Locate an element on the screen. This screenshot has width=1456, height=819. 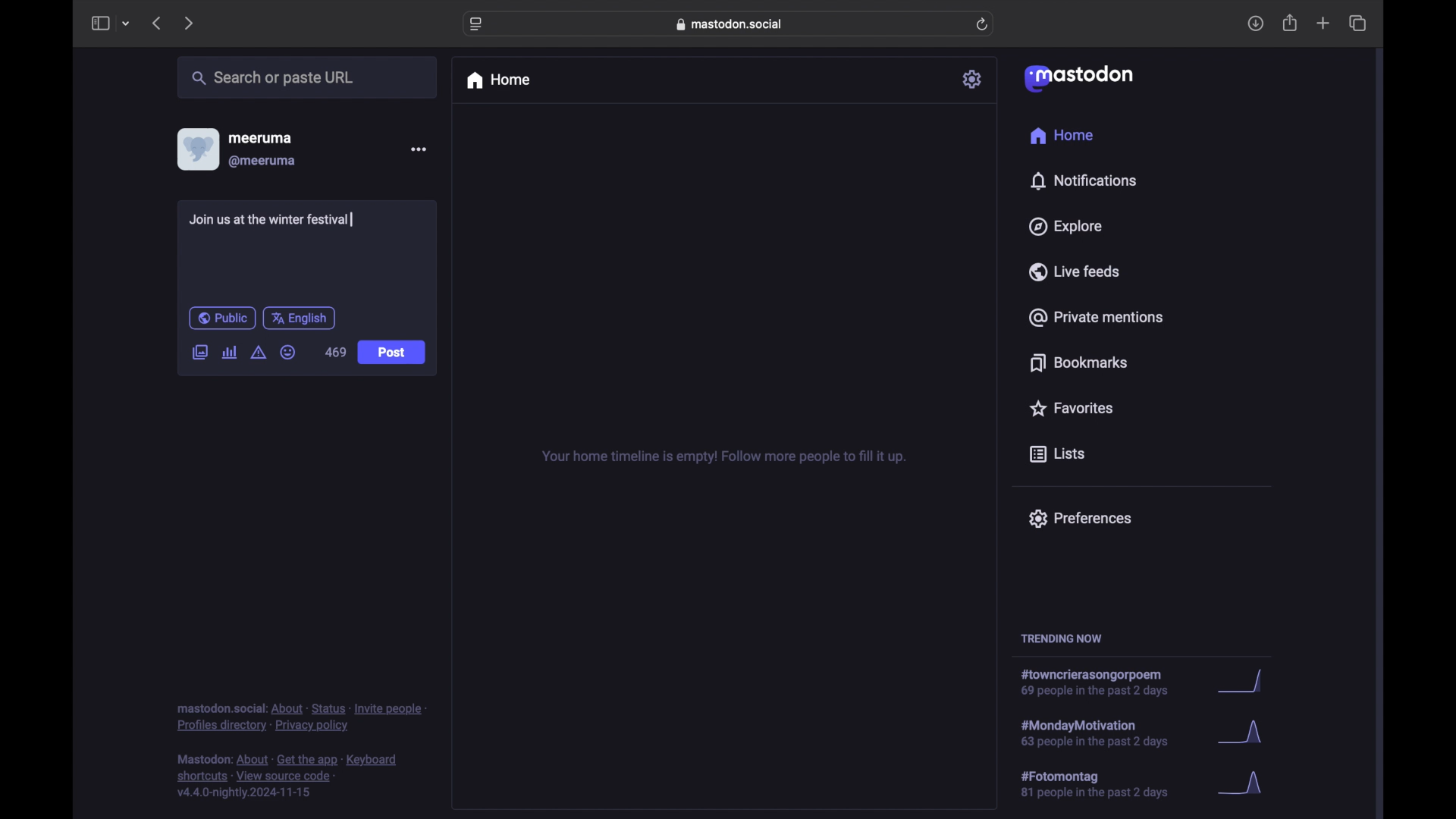
Join us at the winter festival is located at coordinates (274, 221).